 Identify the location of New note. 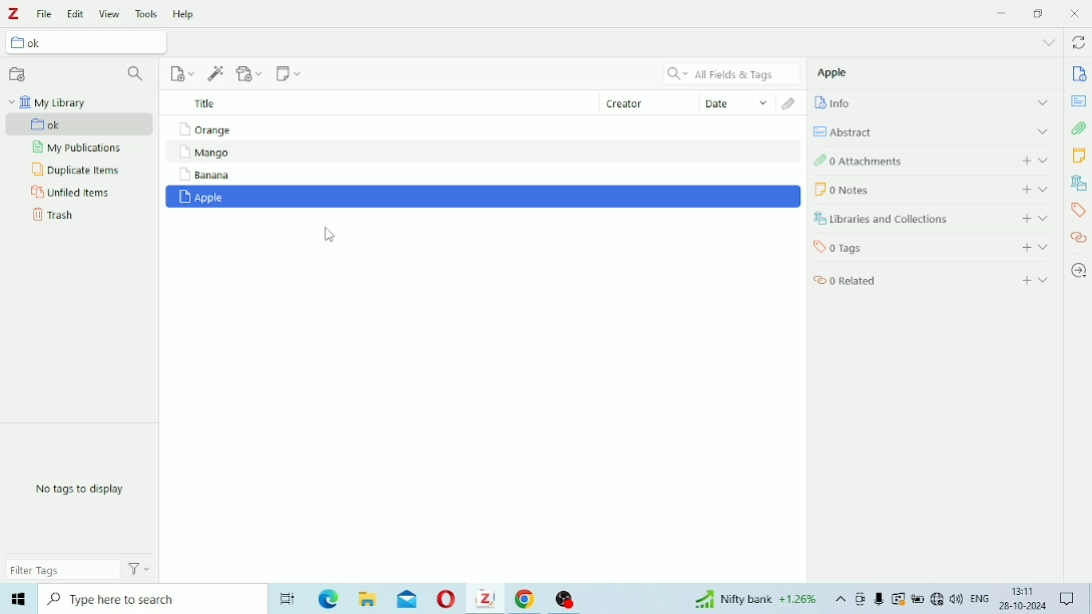
(289, 76).